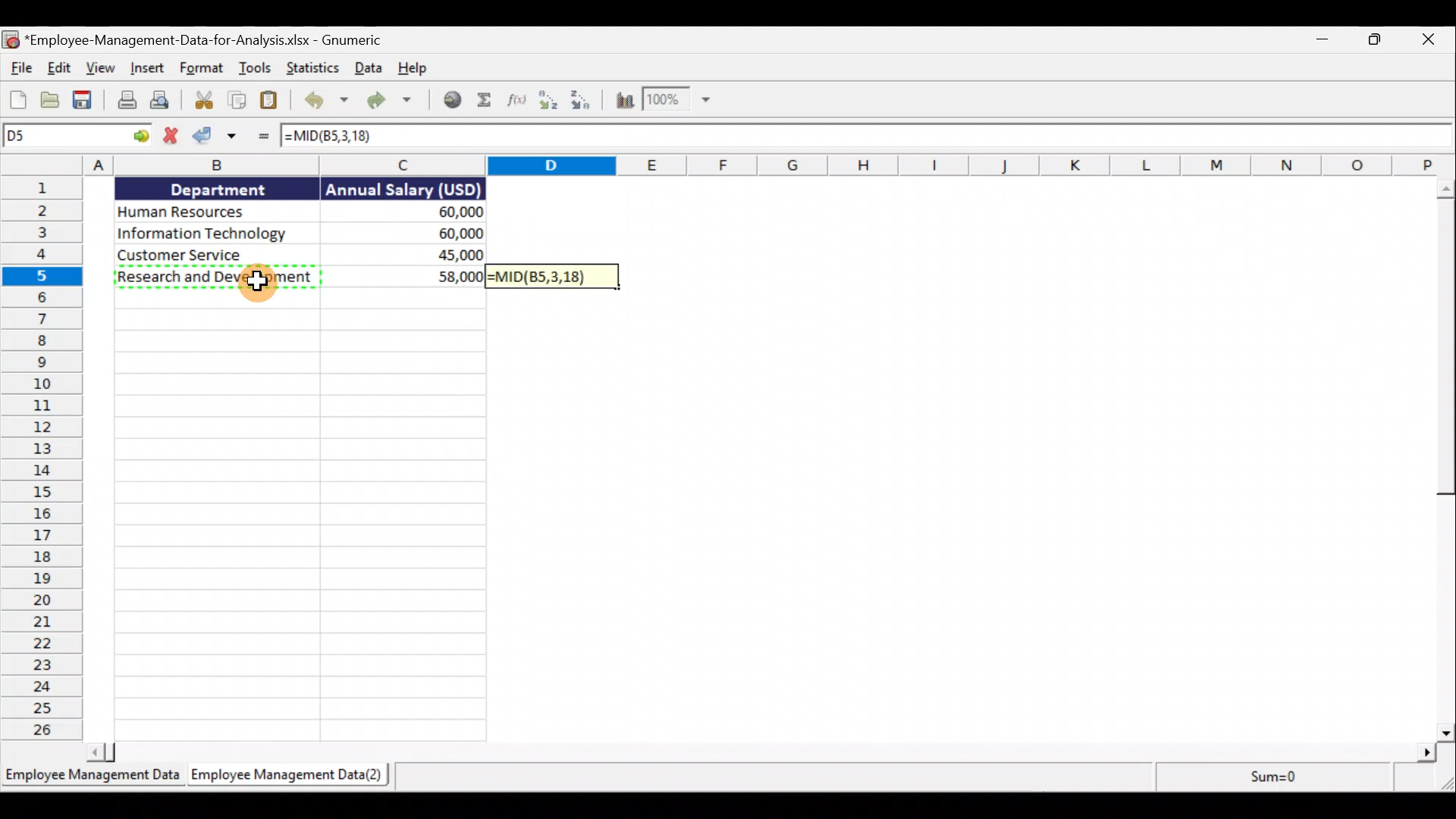  What do you see at coordinates (196, 37) in the screenshot?
I see `Document name` at bounding box center [196, 37].